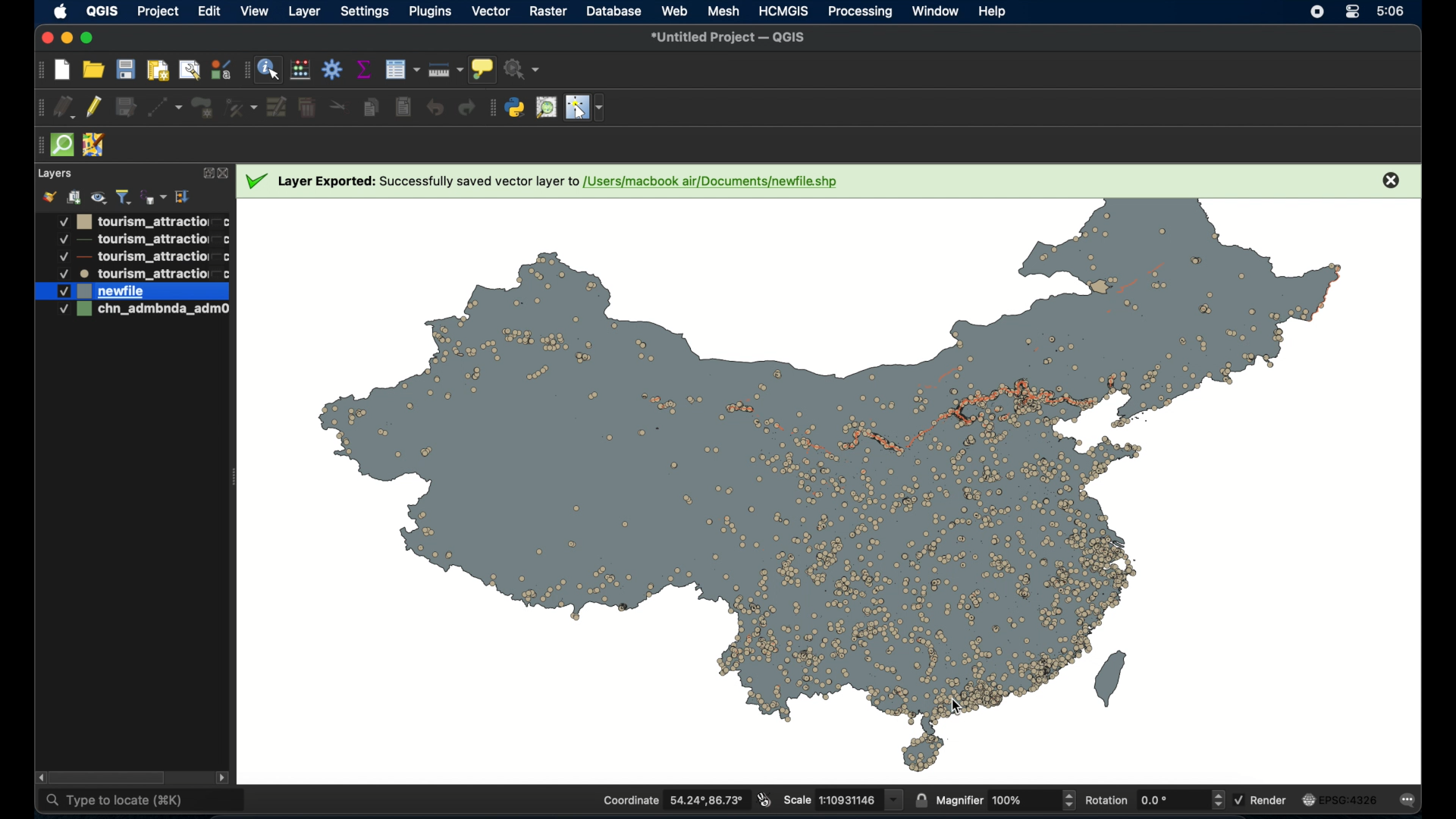  Describe the element at coordinates (522, 67) in the screenshot. I see `no action selected` at that location.